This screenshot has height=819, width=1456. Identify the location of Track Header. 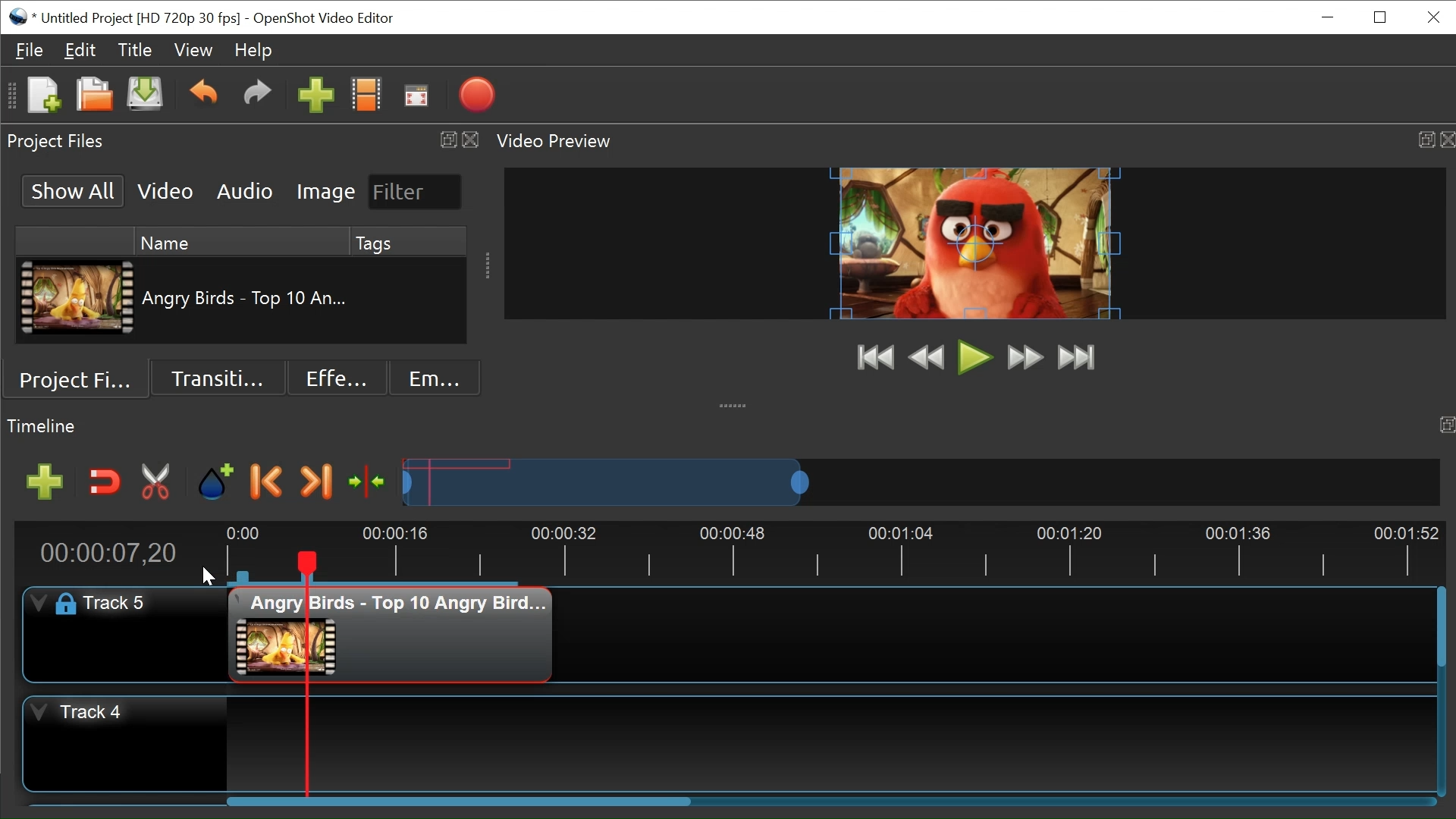
(122, 632).